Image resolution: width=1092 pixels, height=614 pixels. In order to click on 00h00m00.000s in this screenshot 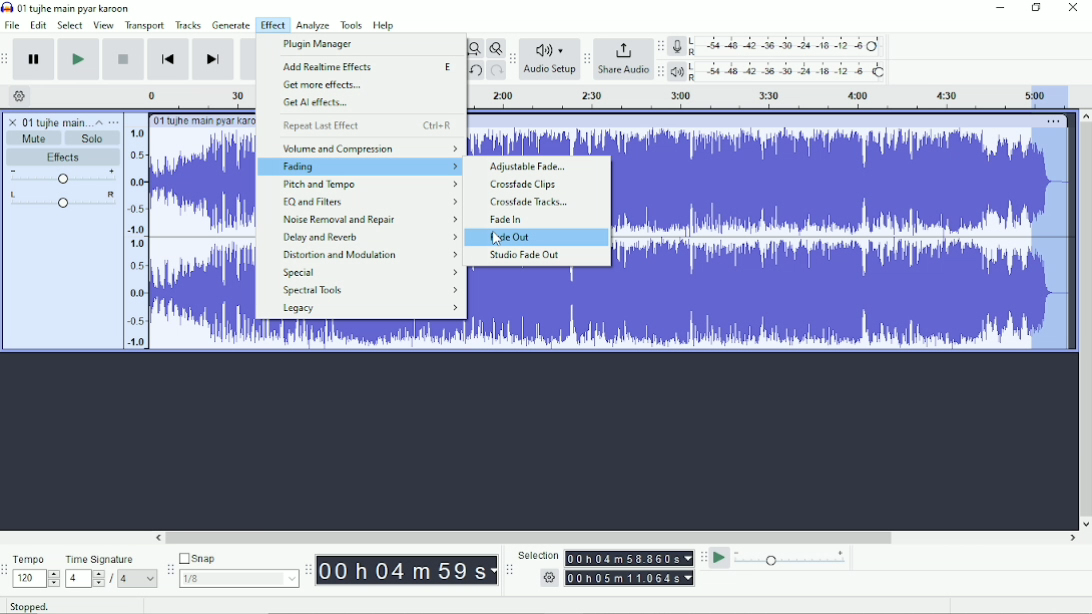, I will do `click(630, 578)`.